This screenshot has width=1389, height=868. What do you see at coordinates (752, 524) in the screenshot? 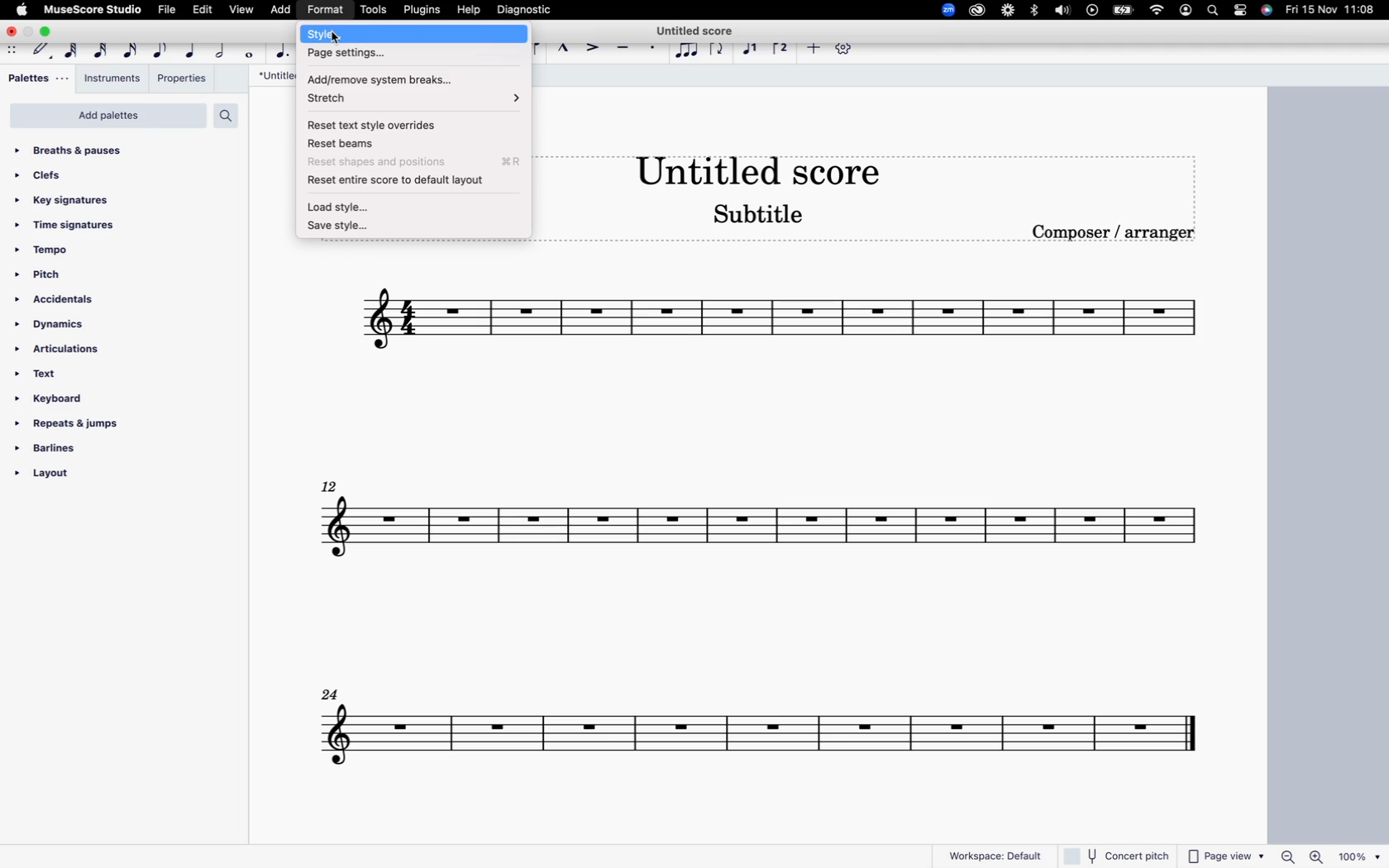
I see `score` at bounding box center [752, 524].